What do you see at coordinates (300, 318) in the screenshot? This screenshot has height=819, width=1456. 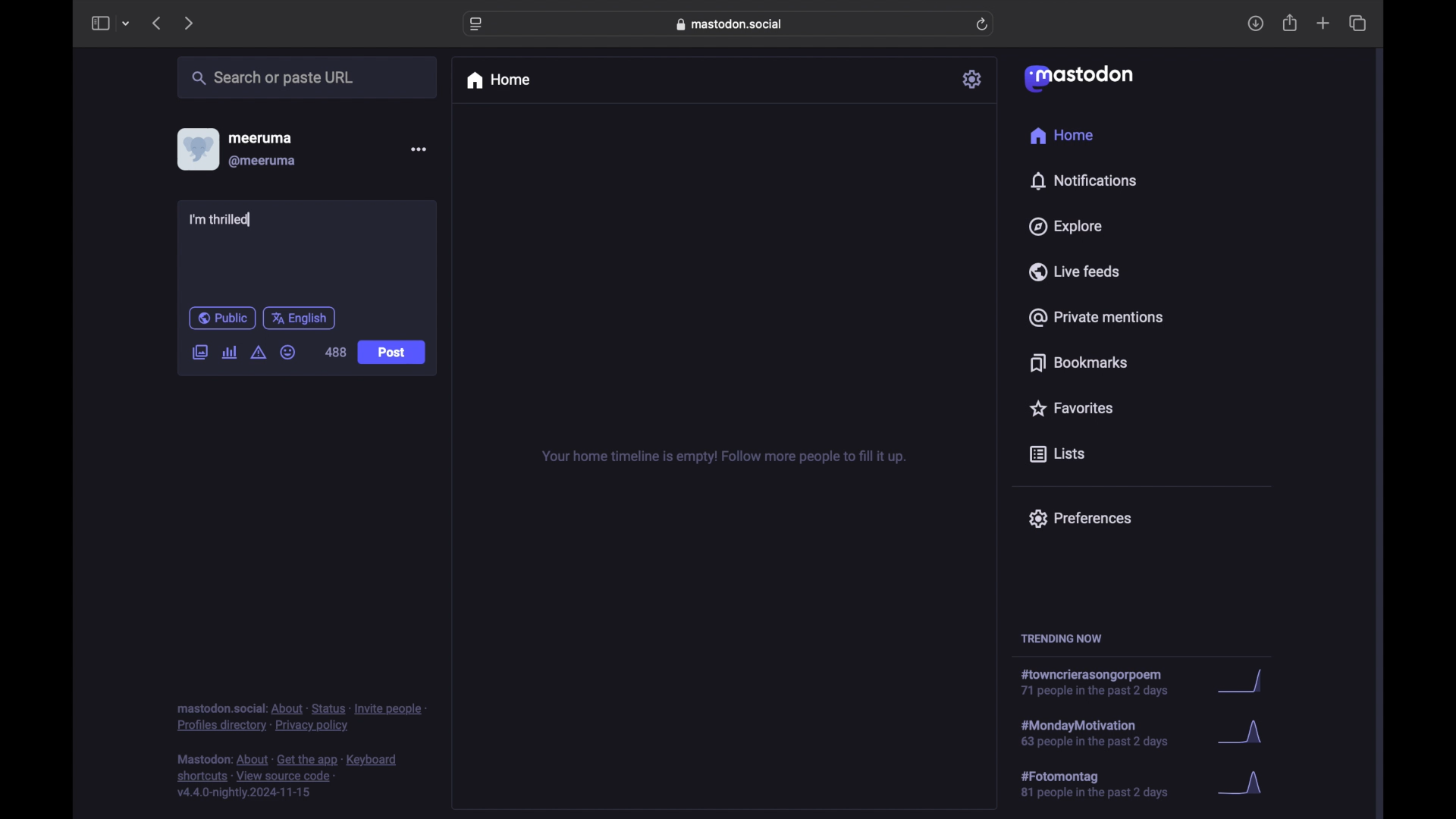 I see `english` at bounding box center [300, 318].